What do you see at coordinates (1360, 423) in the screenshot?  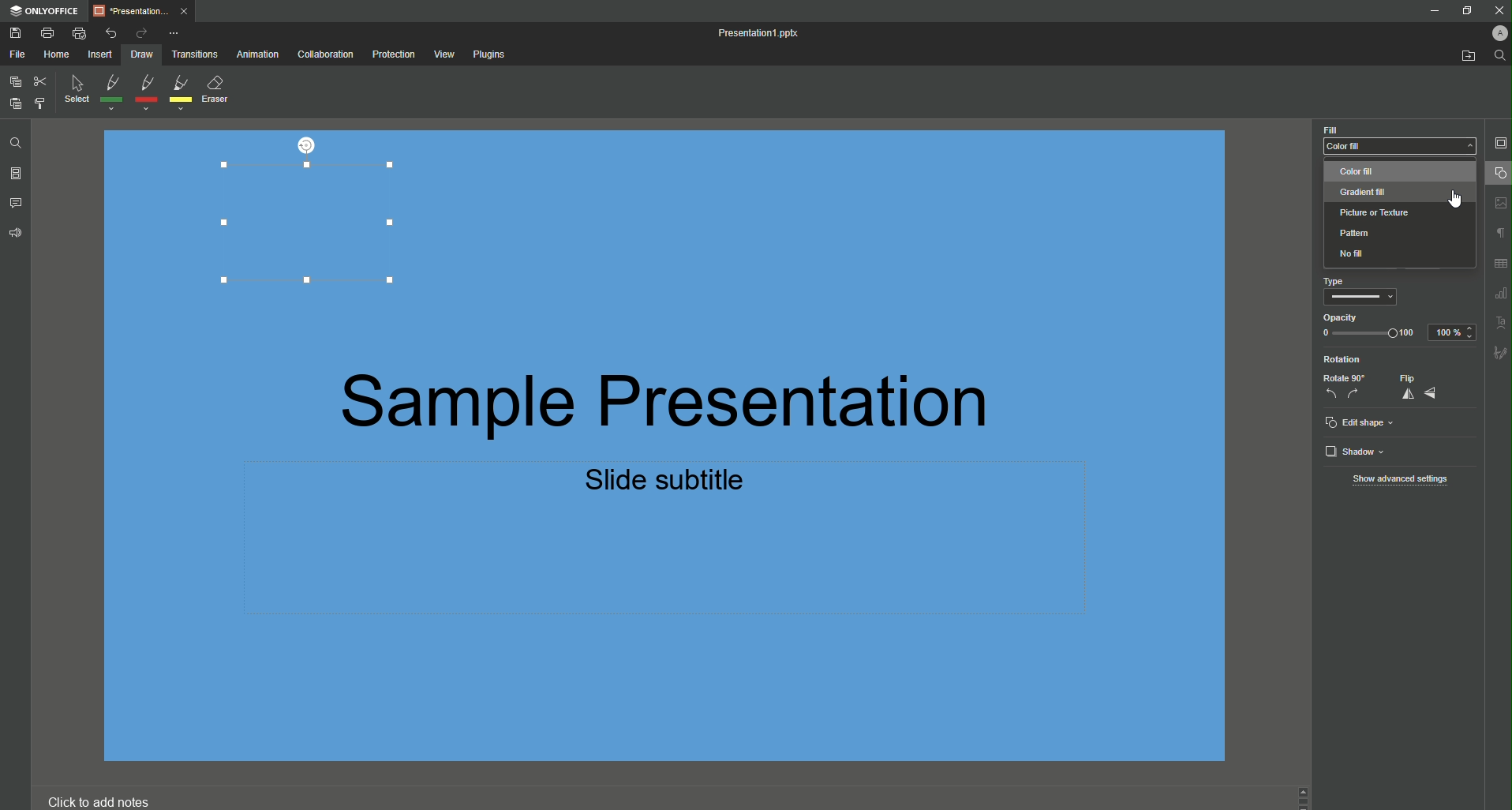 I see `Edit Shape` at bounding box center [1360, 423].